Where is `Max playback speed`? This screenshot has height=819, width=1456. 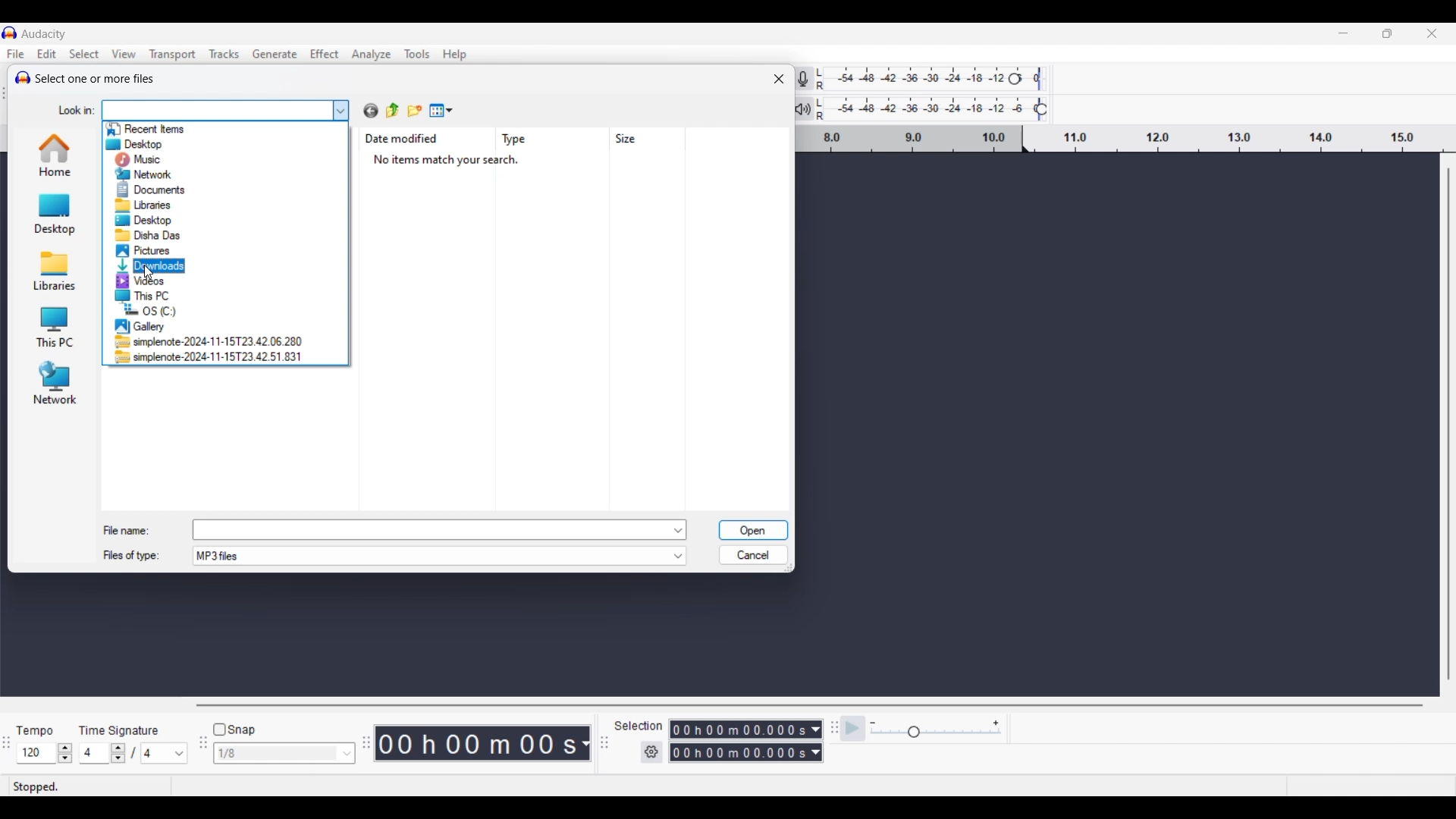 Max playback speed is located at coordinates (996, 723).